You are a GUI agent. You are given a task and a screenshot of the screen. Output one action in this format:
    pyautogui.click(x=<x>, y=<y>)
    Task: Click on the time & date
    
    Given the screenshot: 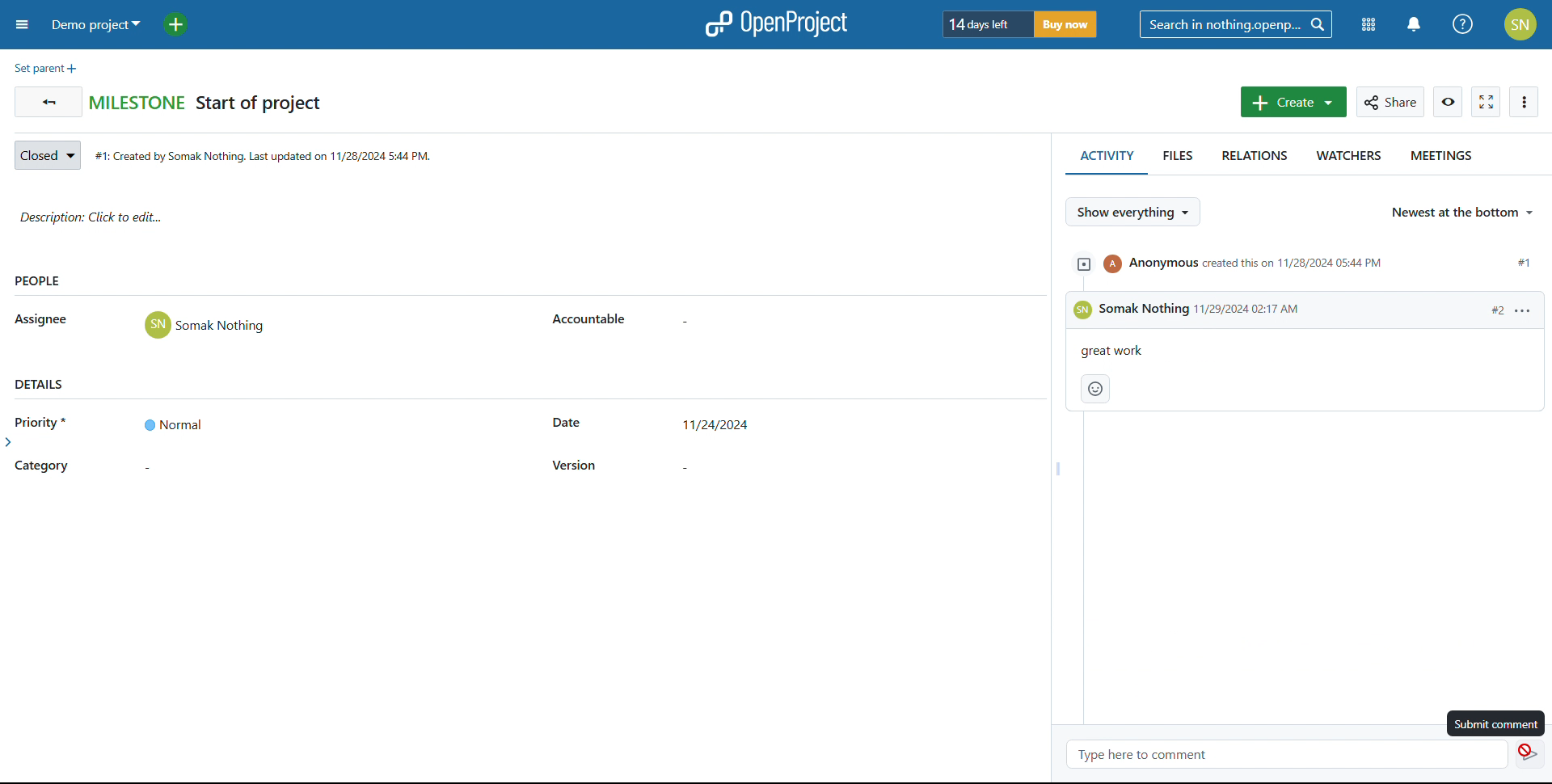 What is the action you would take?
    pyautogui.click(x=1251, y=311)
    